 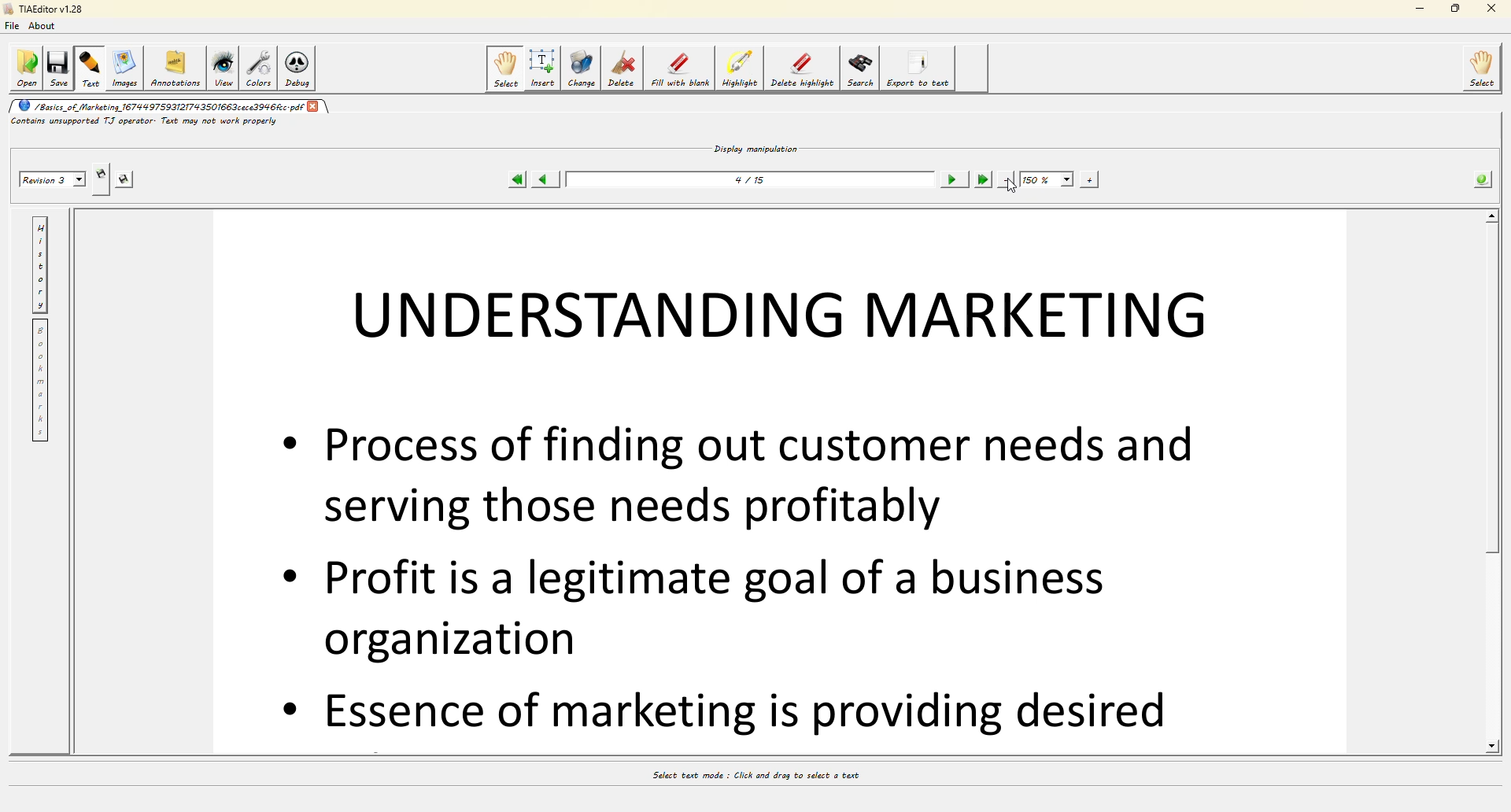 I want to click on editor, so click(x=48, y=9).